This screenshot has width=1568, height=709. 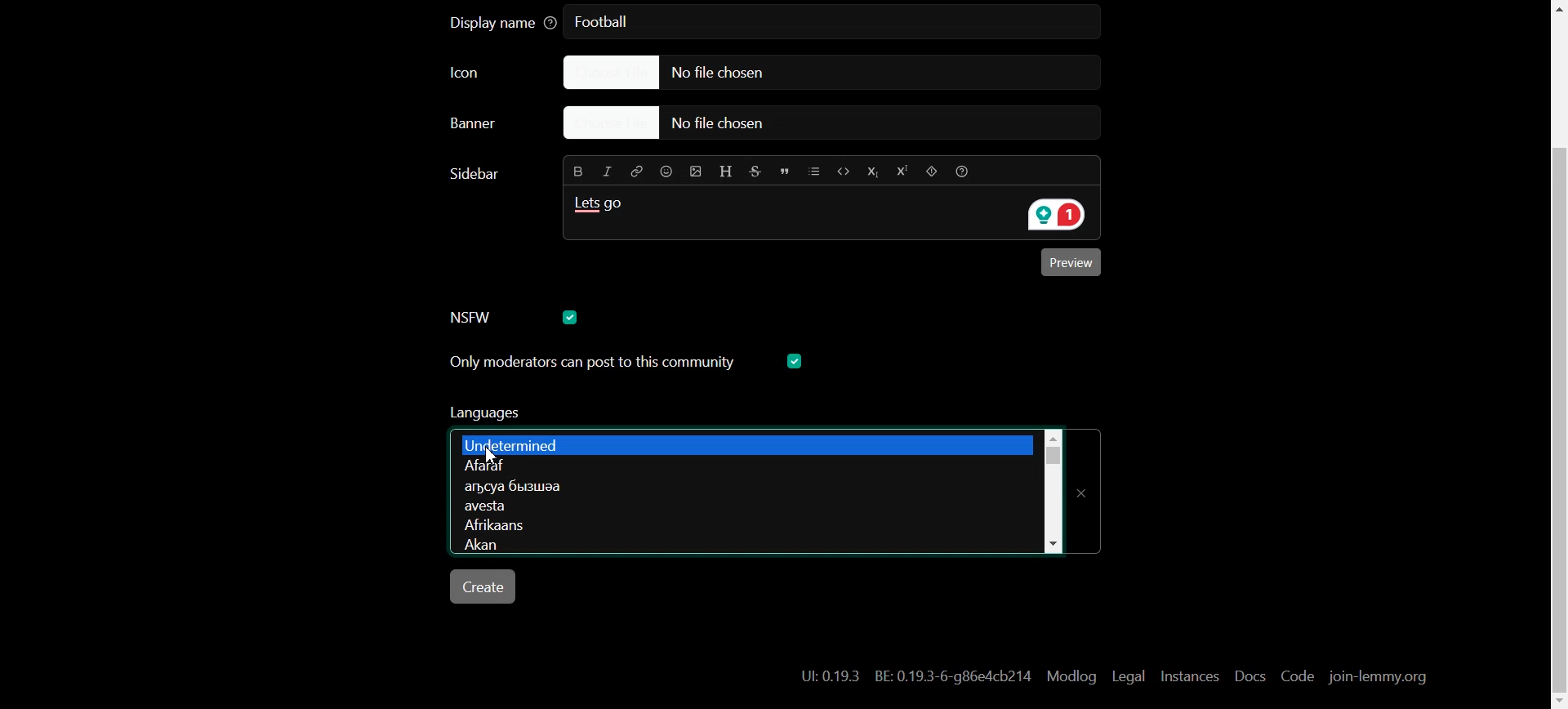 What do you see at coordinates (1052, 216) in the screenshot?
I see `grammarly` at bounding box center [1052, 216].